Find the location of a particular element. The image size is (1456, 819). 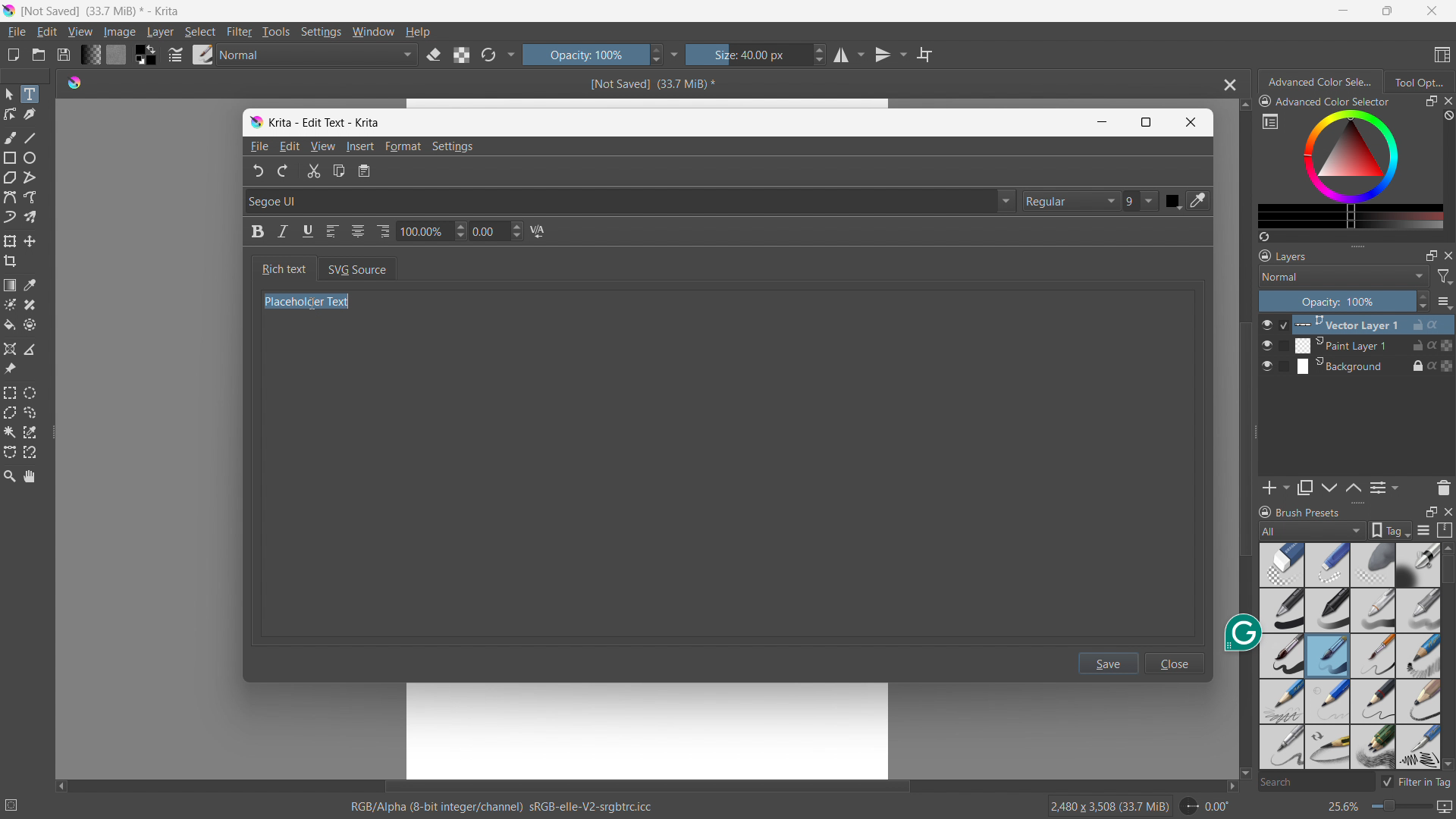

vertical scrollbar is located at coordinates (1241, 439).